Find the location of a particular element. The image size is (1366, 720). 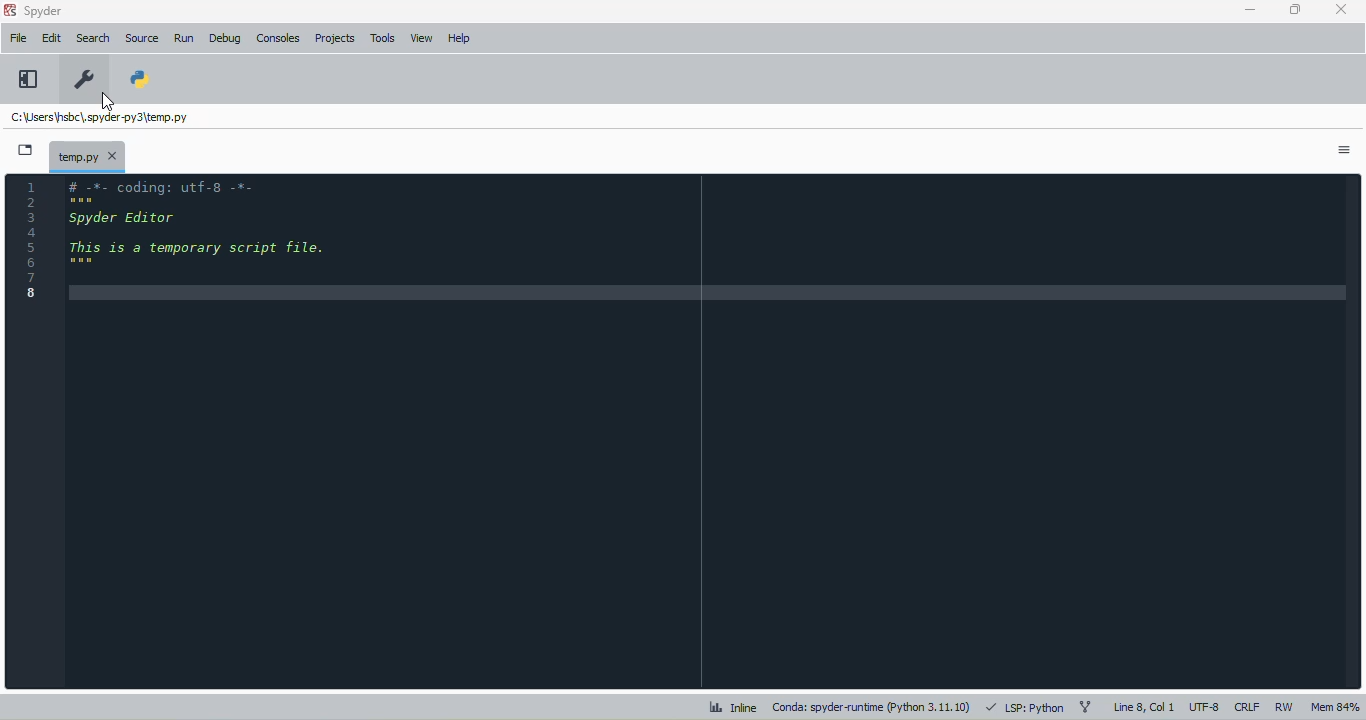

maximize current pane is located at coordinates (29, 79).